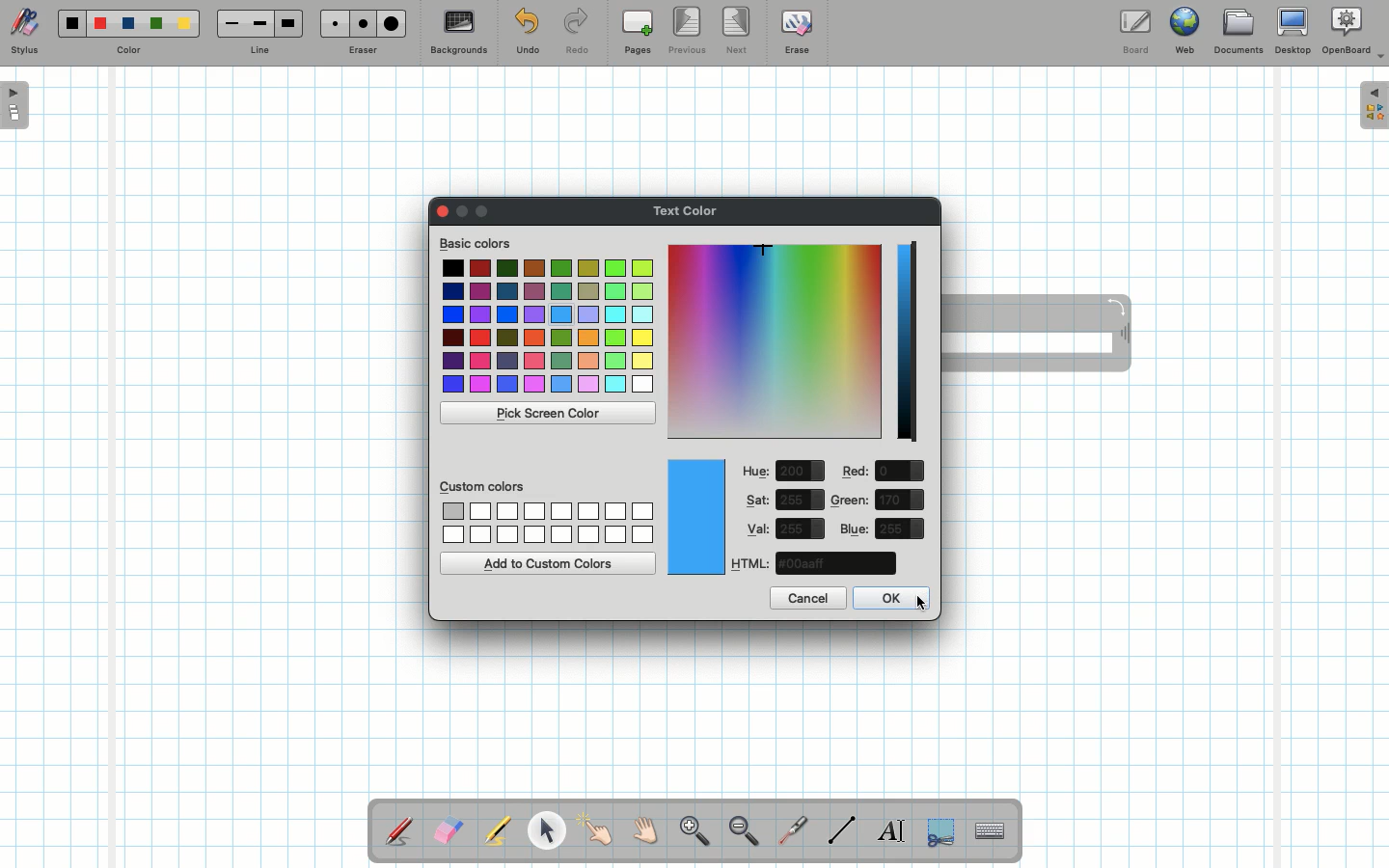  What do you see at coordinates (1123, 336) in the screenshot?
I see `Move` at bounding box center [1123, 336].